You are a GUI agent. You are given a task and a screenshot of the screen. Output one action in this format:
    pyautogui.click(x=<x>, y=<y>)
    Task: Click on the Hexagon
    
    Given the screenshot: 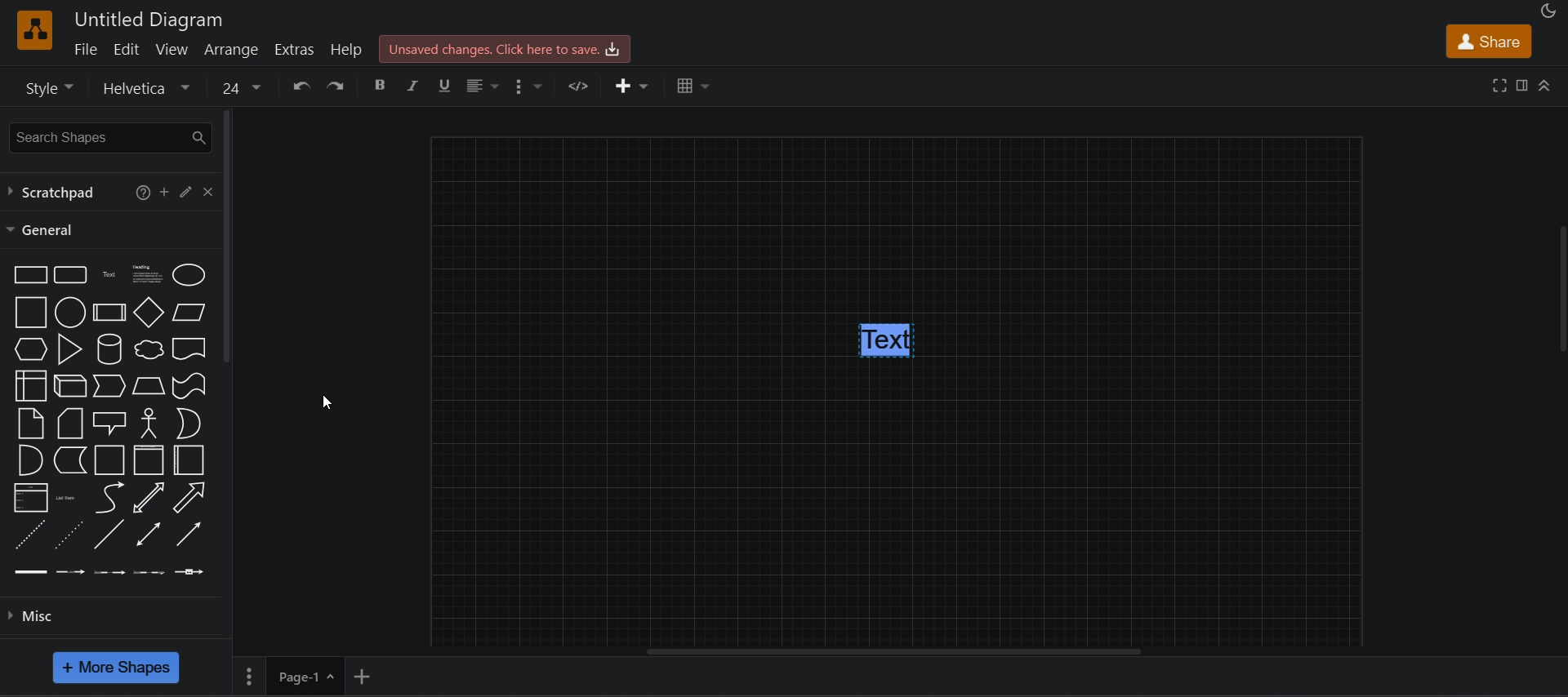 What is the action you would take?
    pyautogui.click(x=31, y=349)
    